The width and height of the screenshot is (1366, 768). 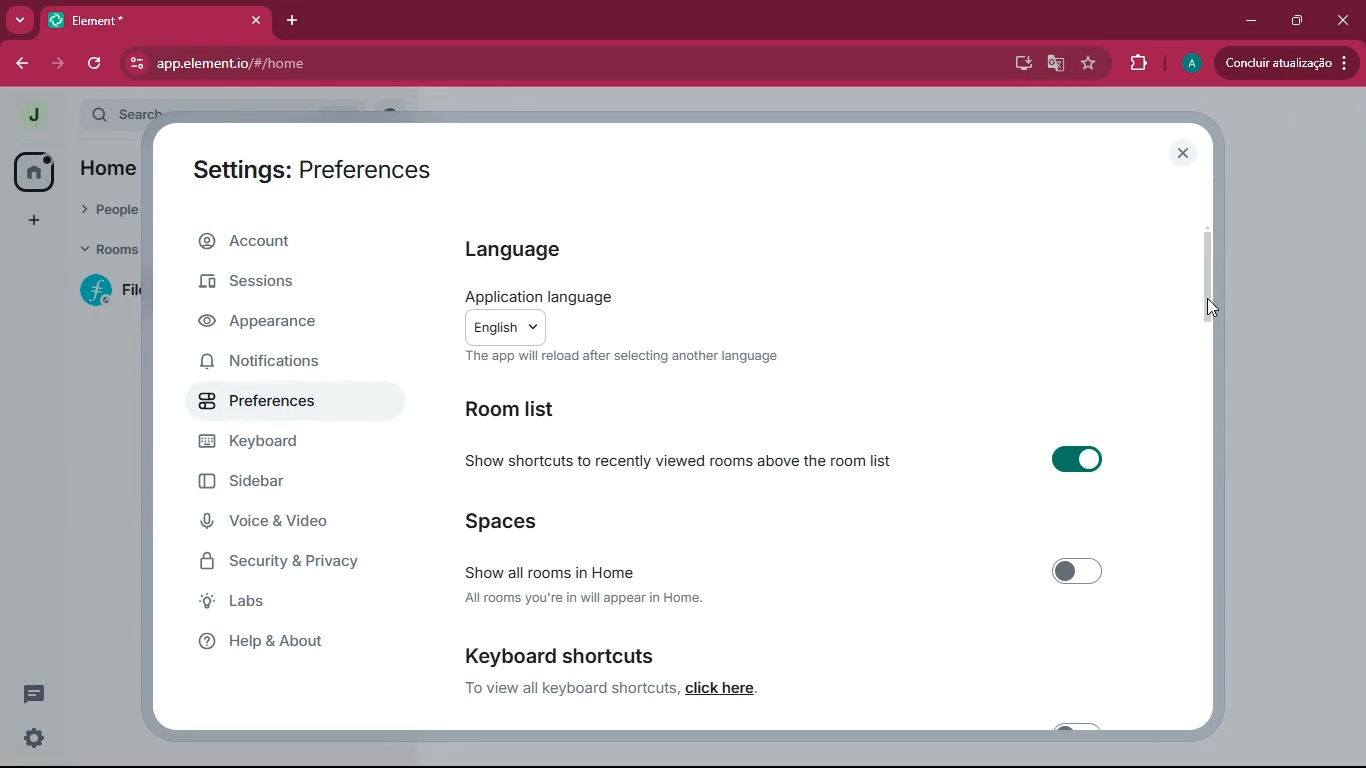 I want to click on more, so click(x=19, y=18).